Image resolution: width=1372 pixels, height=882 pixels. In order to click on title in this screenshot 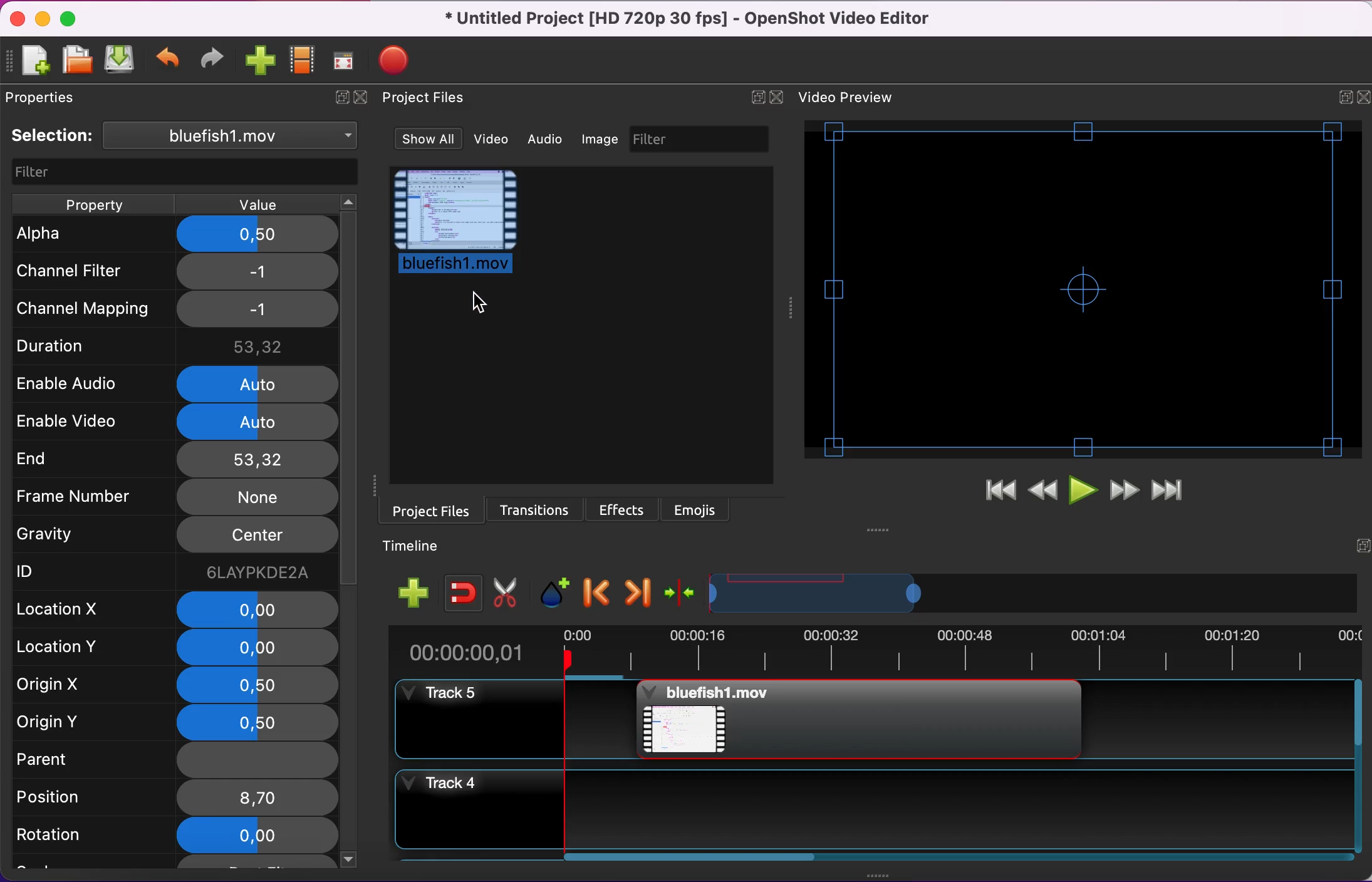, I will do `click(689, 19)`.